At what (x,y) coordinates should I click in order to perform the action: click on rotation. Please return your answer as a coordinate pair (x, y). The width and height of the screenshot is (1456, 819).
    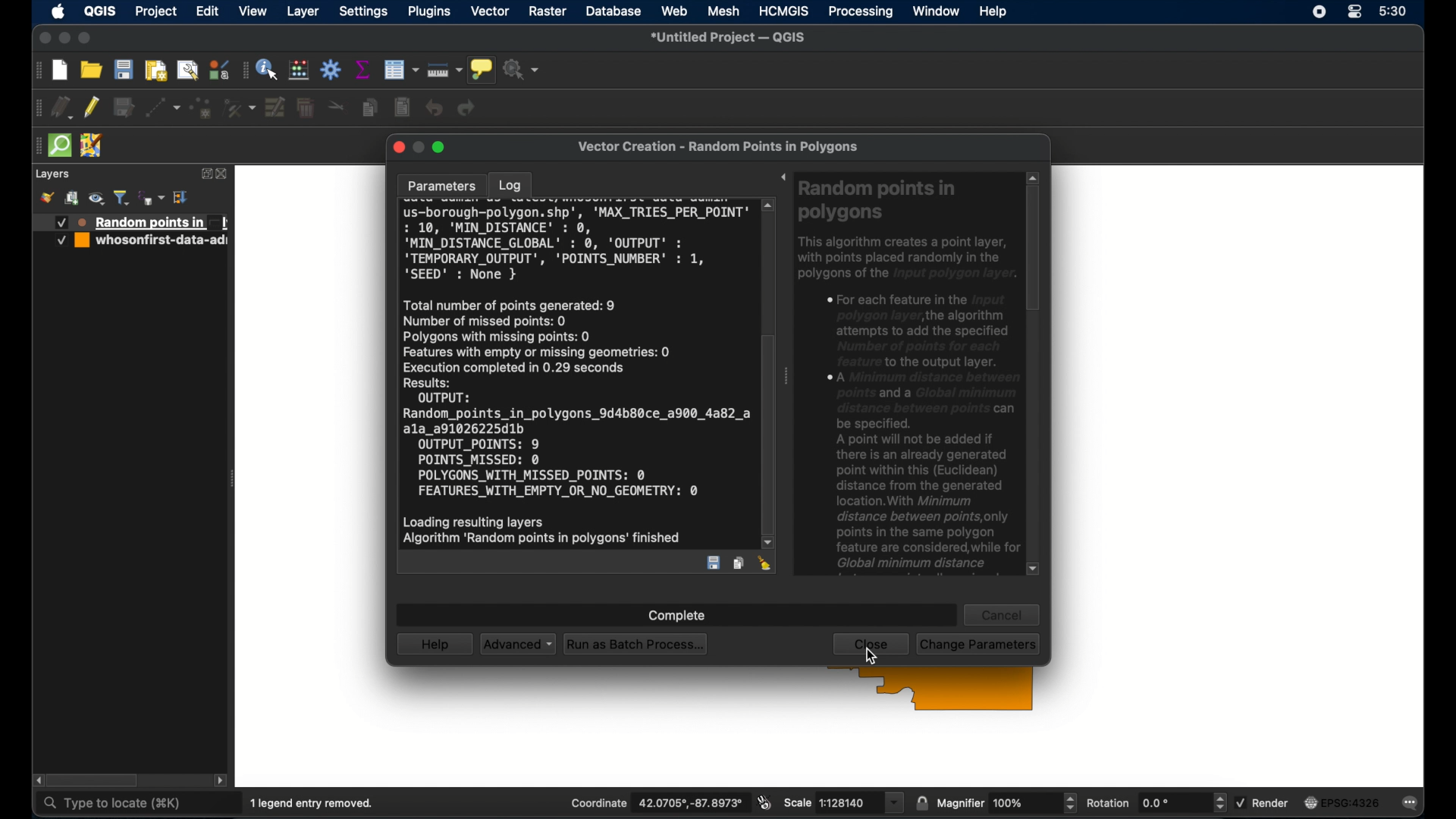
    Looking at the image, I should click on (1156, 802).